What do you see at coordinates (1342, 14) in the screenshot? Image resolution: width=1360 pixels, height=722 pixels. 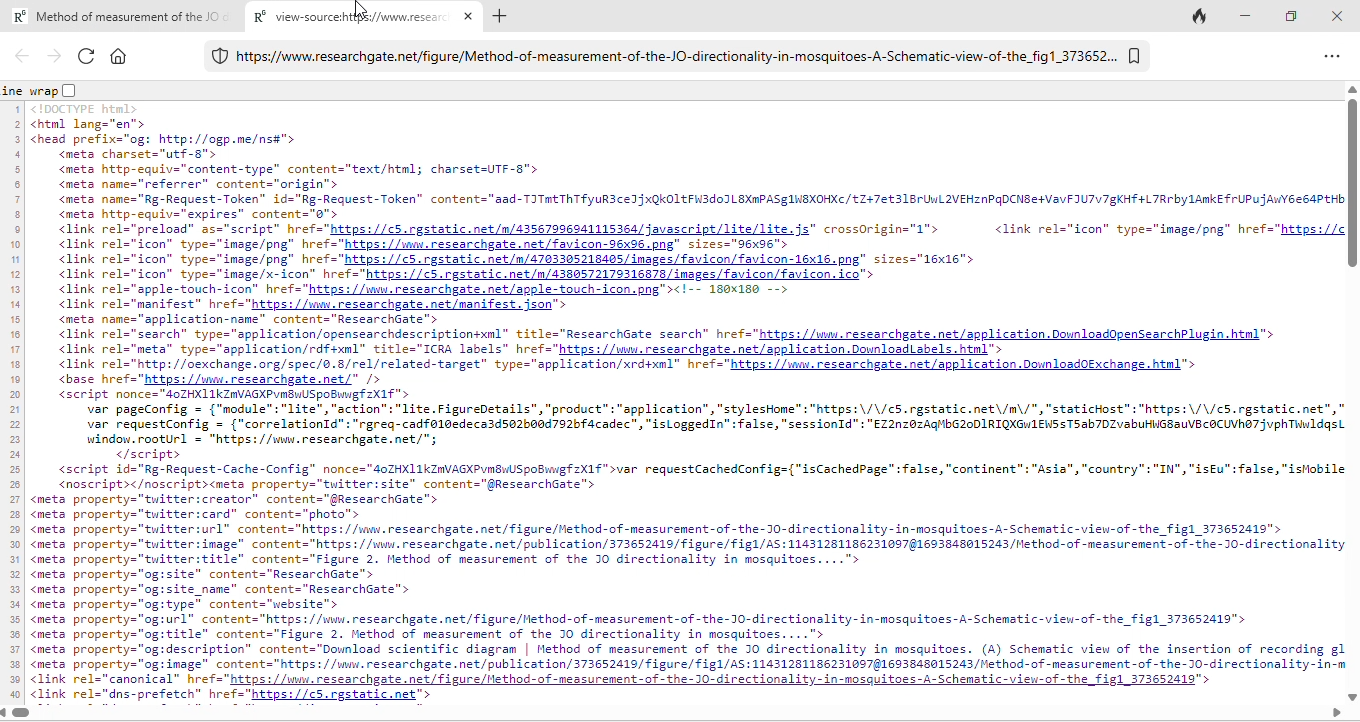 I see `close` at bounding box center [1342, 14].